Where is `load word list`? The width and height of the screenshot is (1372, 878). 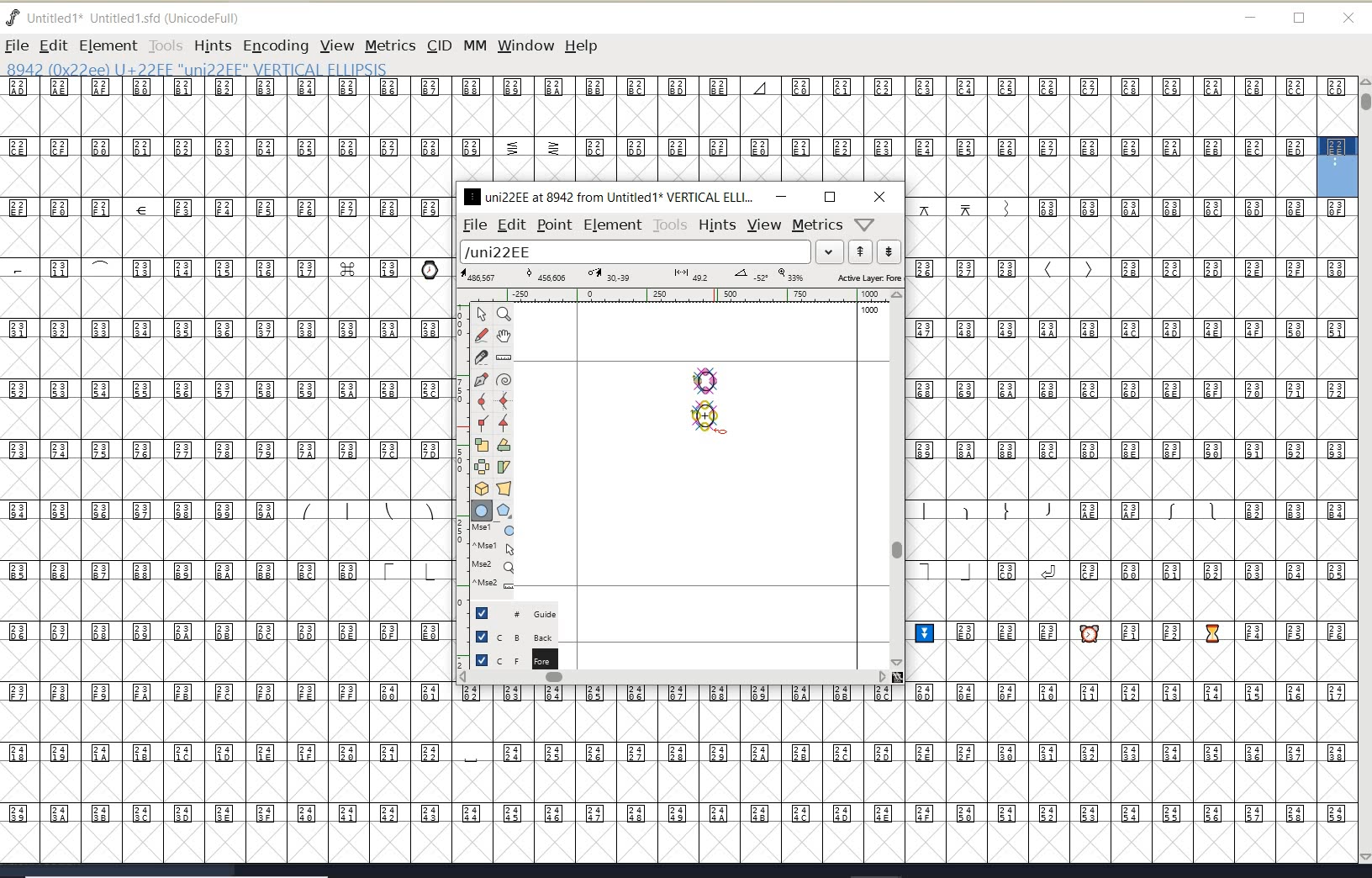
load word list is located at coordinates (648, 253).